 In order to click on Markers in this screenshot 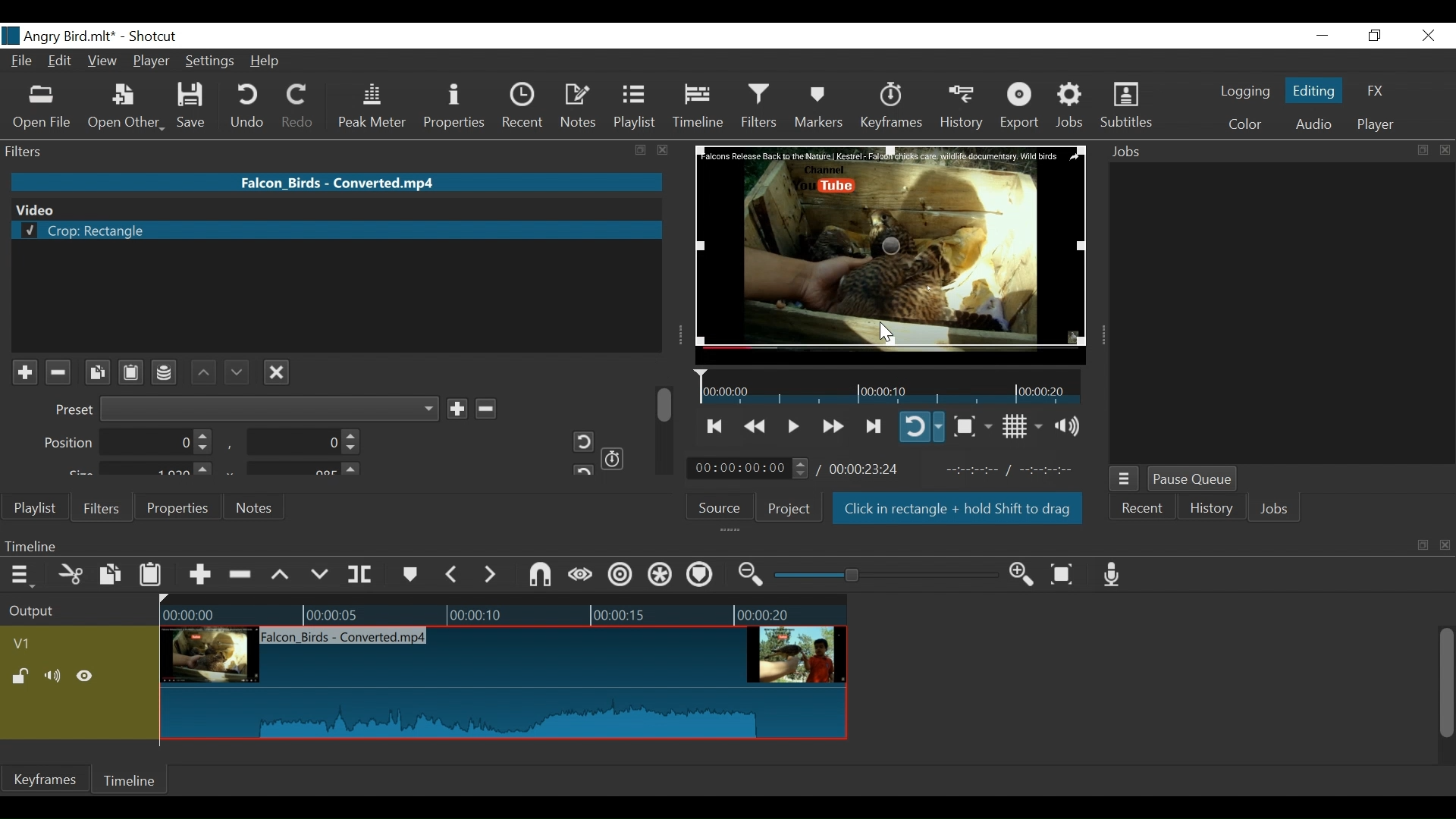, I will do `click(409, 575)`.